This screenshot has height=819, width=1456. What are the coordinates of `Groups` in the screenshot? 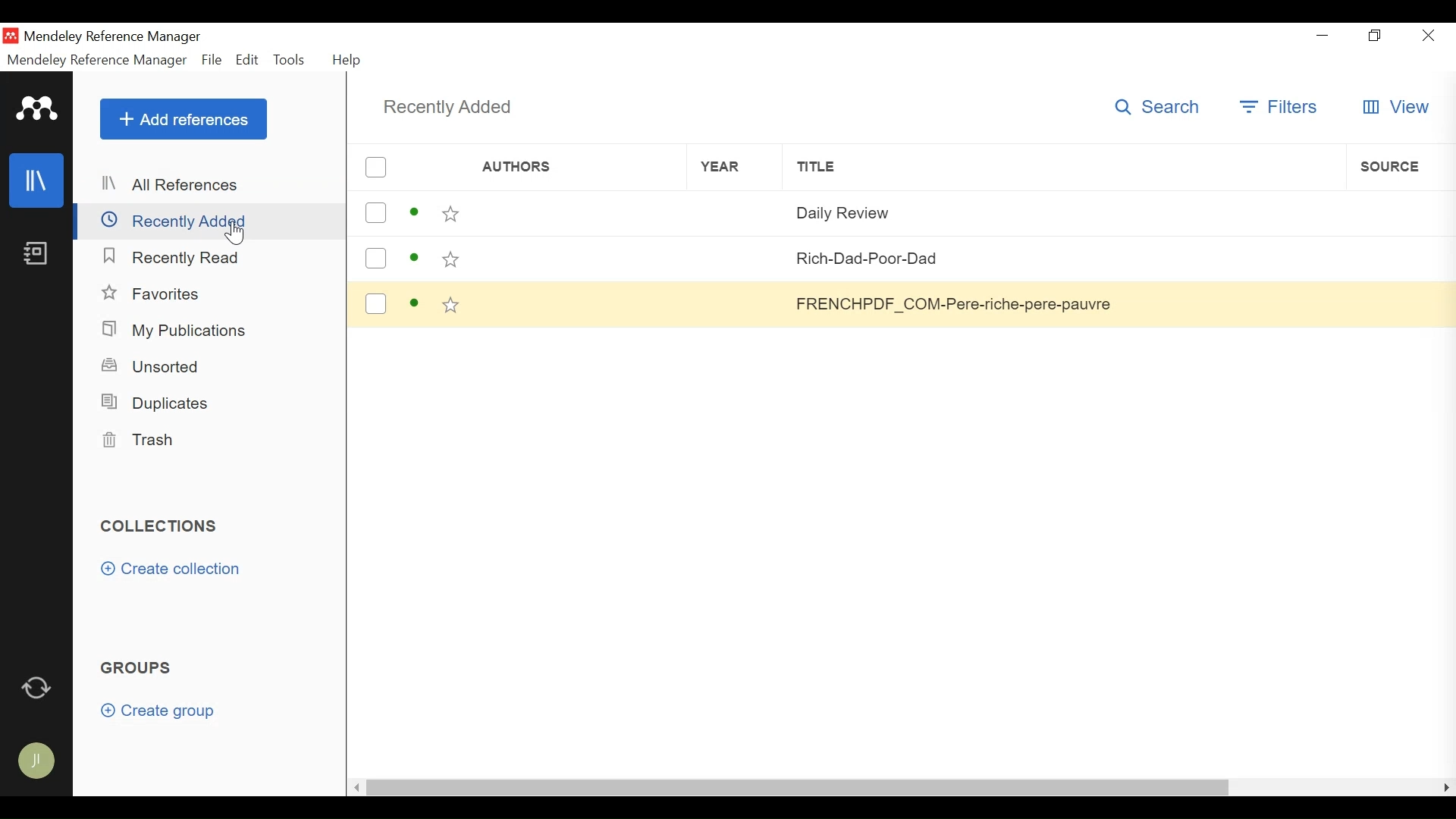 It's located at (143, 668).